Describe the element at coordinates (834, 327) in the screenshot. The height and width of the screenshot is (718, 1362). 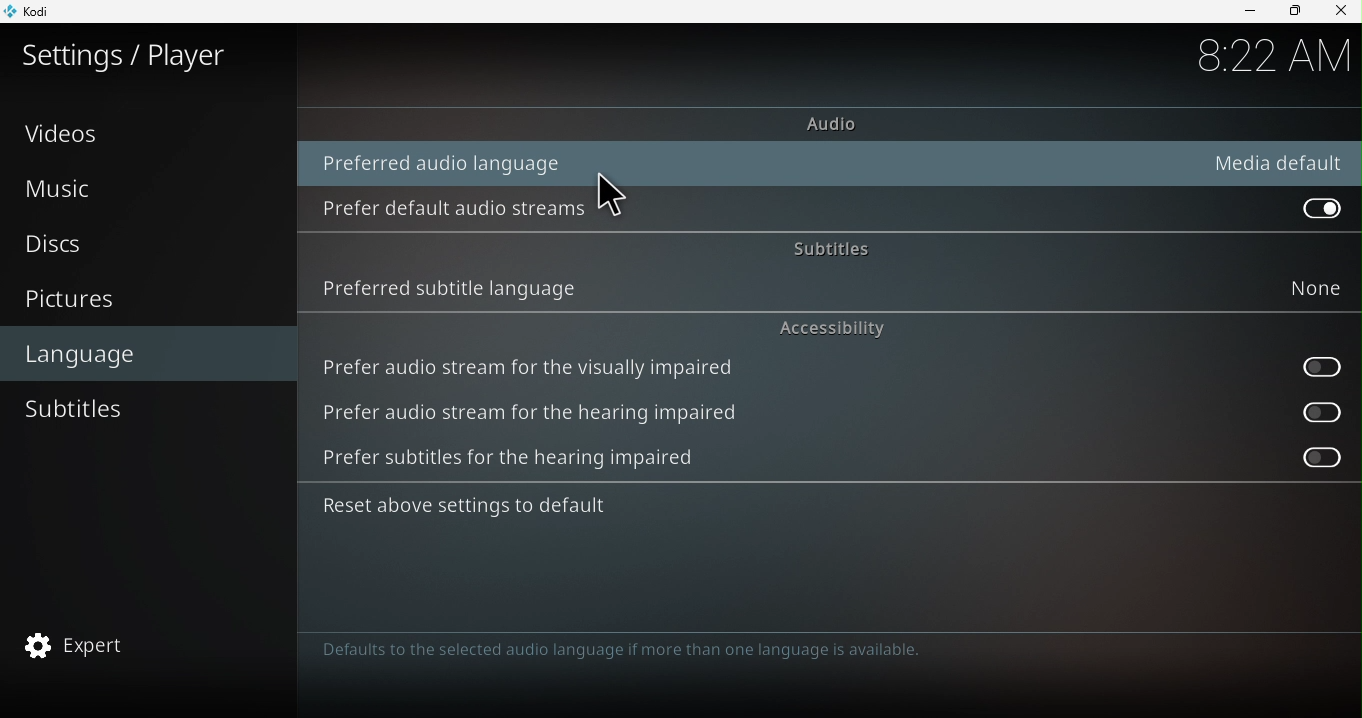
I see `Accessibility` at that location.